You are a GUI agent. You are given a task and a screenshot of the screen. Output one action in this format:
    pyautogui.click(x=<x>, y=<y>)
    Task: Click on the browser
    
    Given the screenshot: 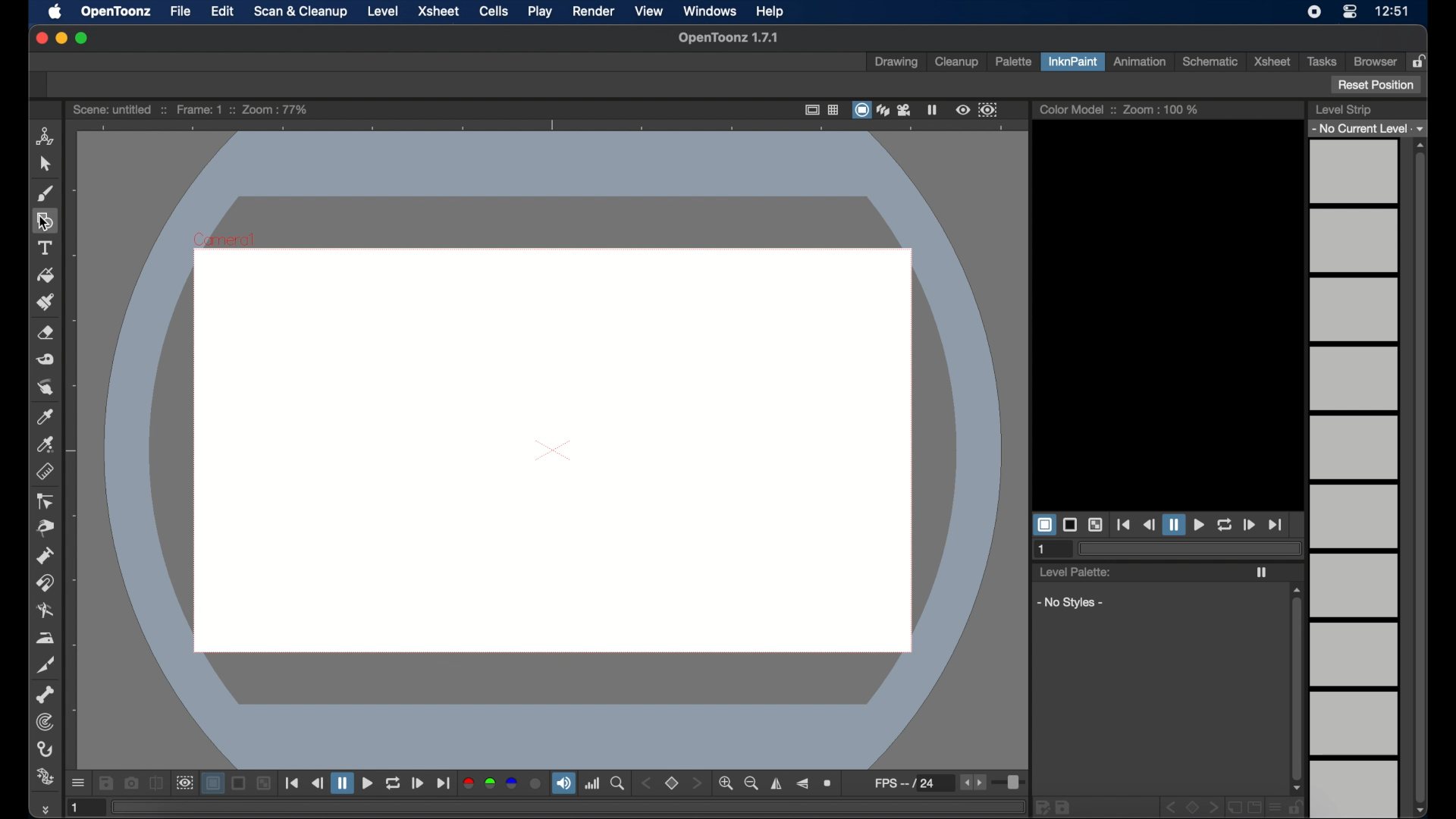 What is the action you would take?
    pyautogui.click(x=1376, y=61)
    